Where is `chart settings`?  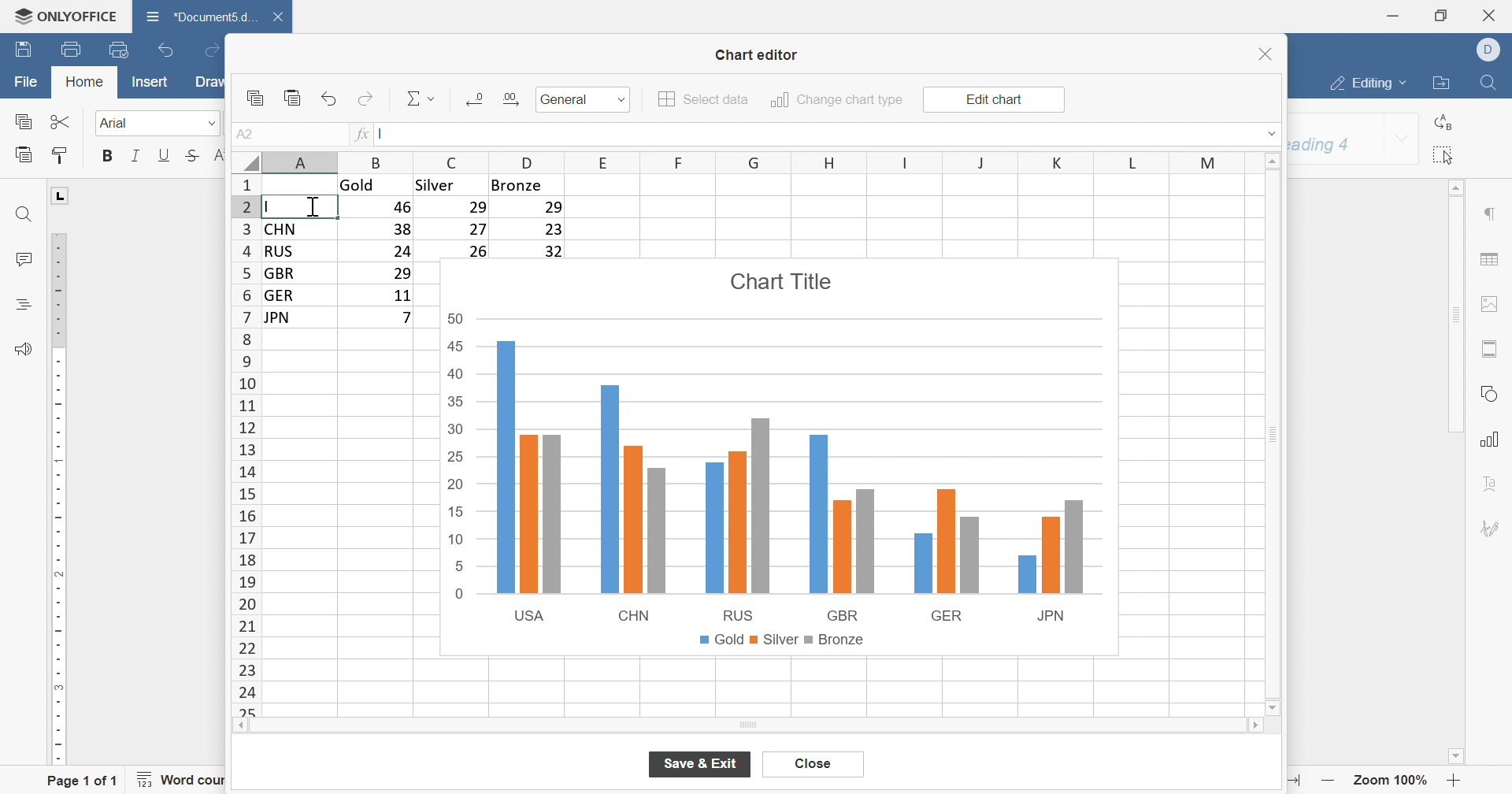
chart settings is located at coordinates (1492, 440).